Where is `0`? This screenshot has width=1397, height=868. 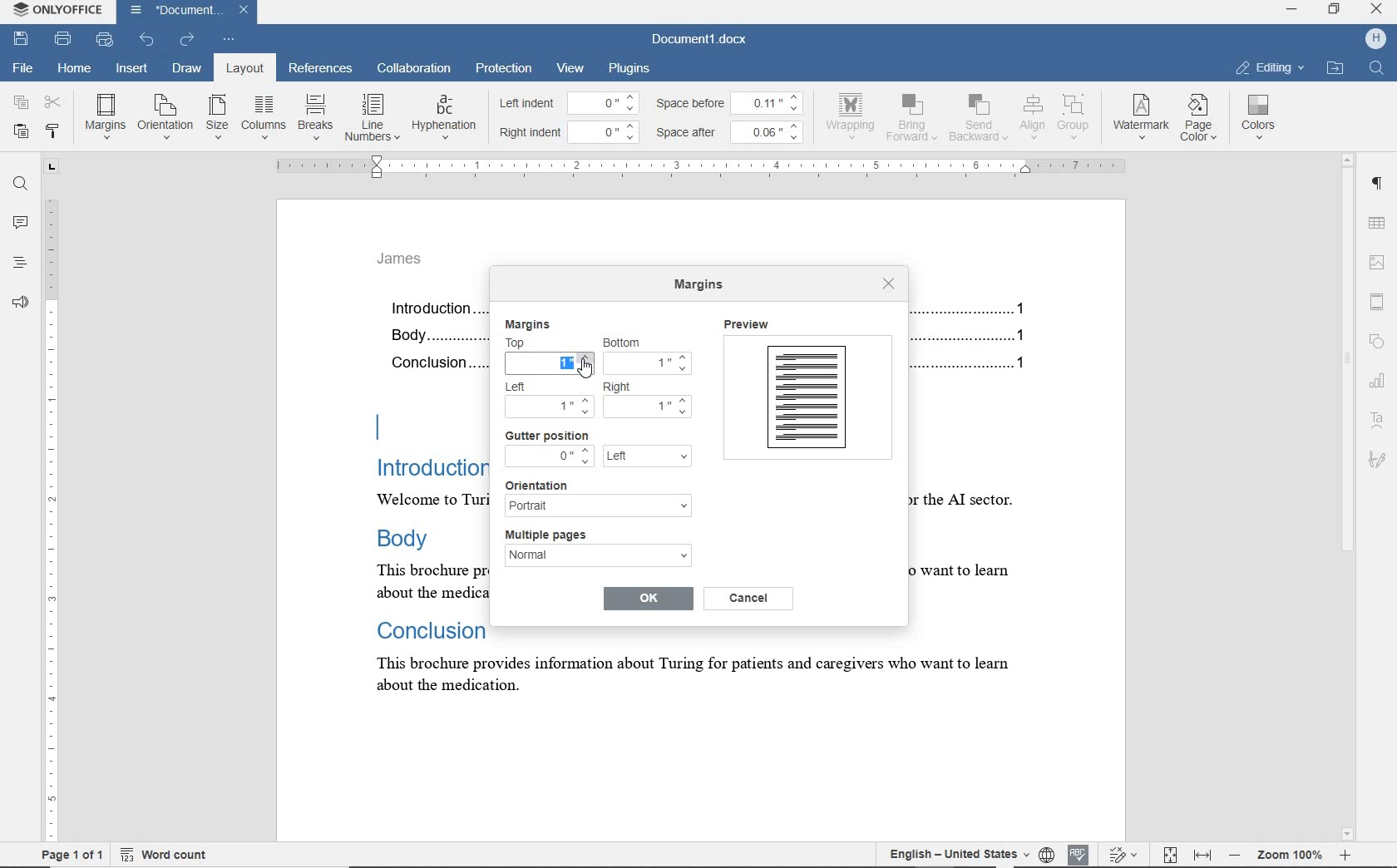
0 is located at coordinates (605, 102).